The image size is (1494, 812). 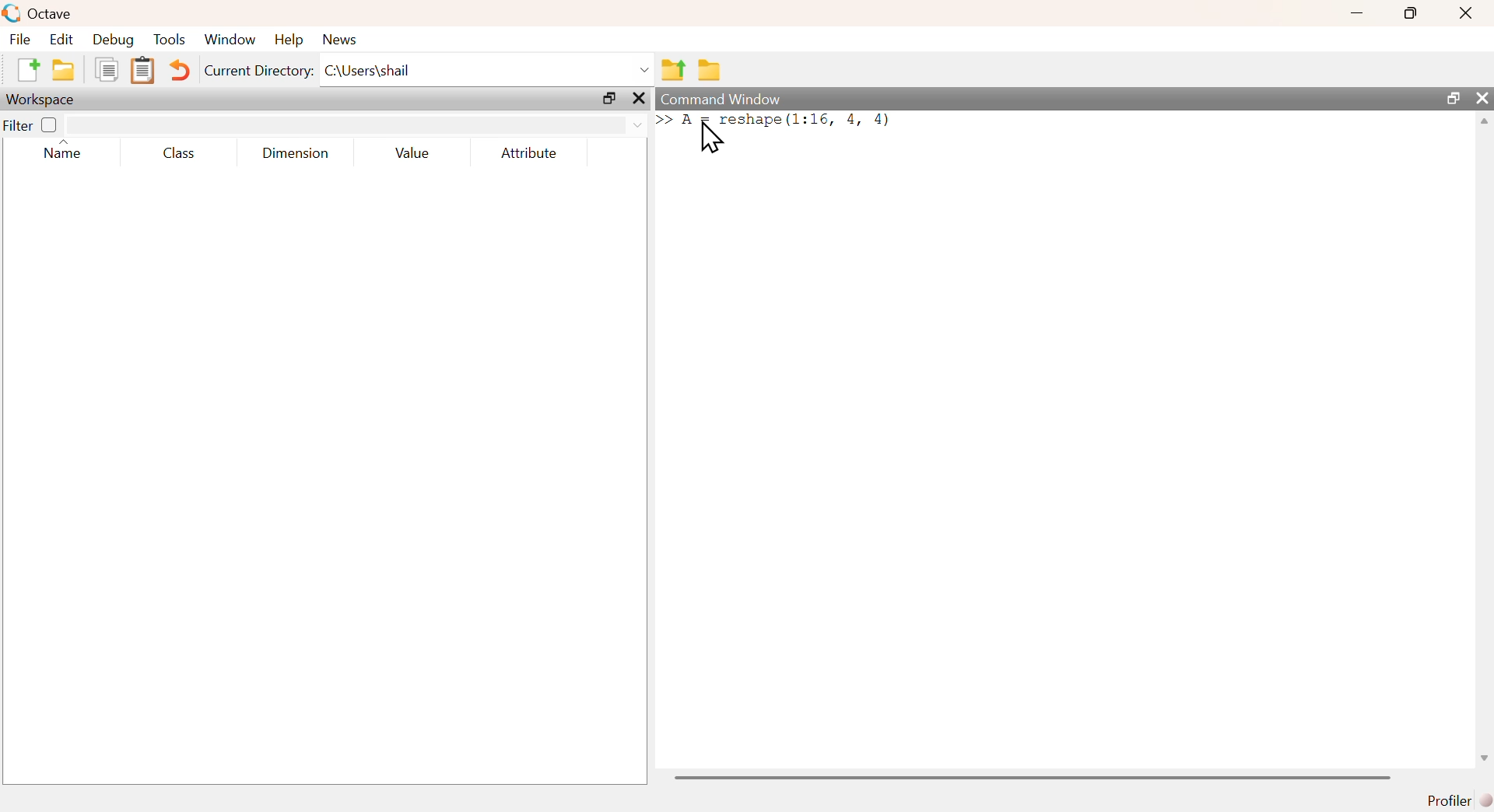 What do you see at coordinates (113, 40) in the screenshot?
I see `Debug` at bounding box center [113, 40].